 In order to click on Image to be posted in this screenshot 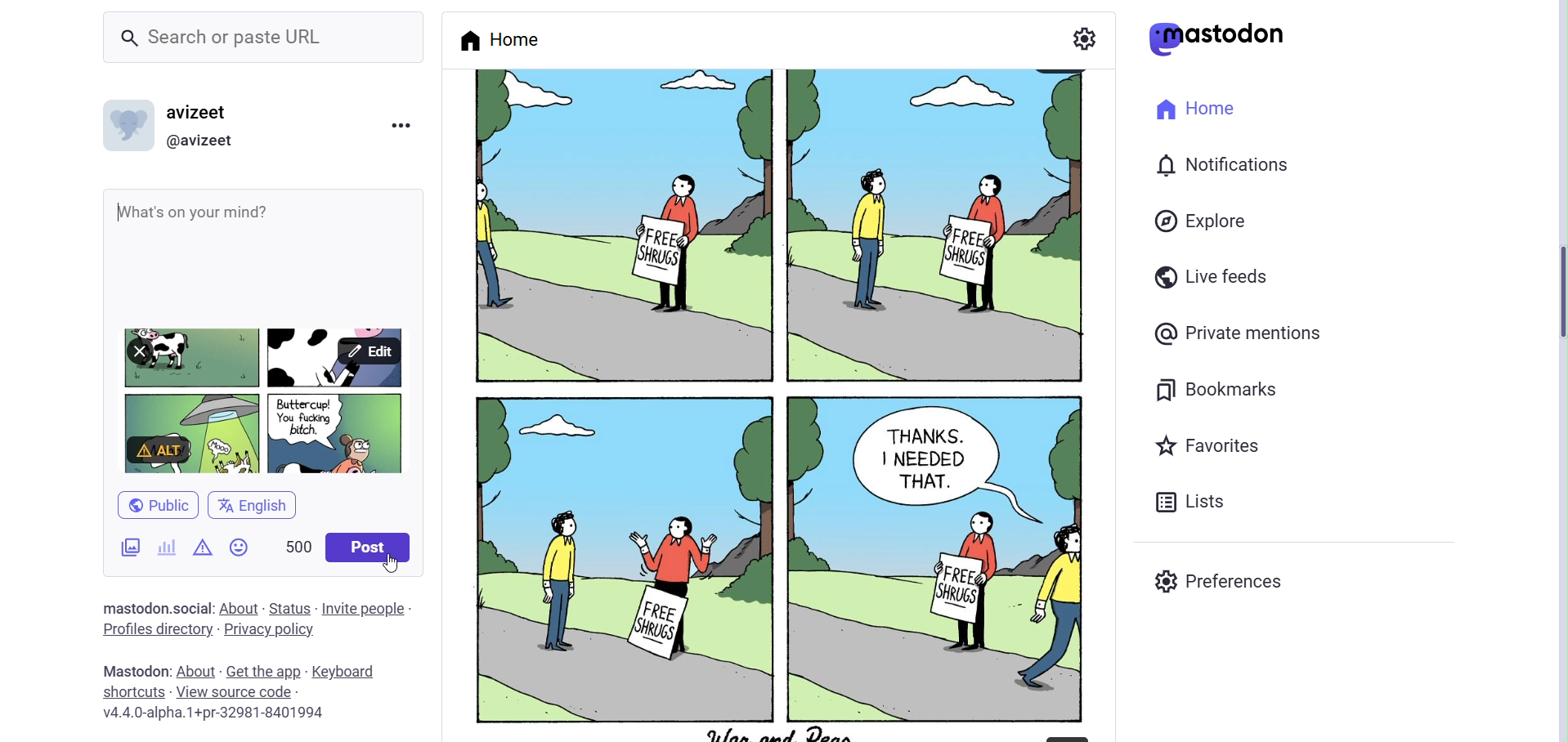, I will do `click(251, 349)`.